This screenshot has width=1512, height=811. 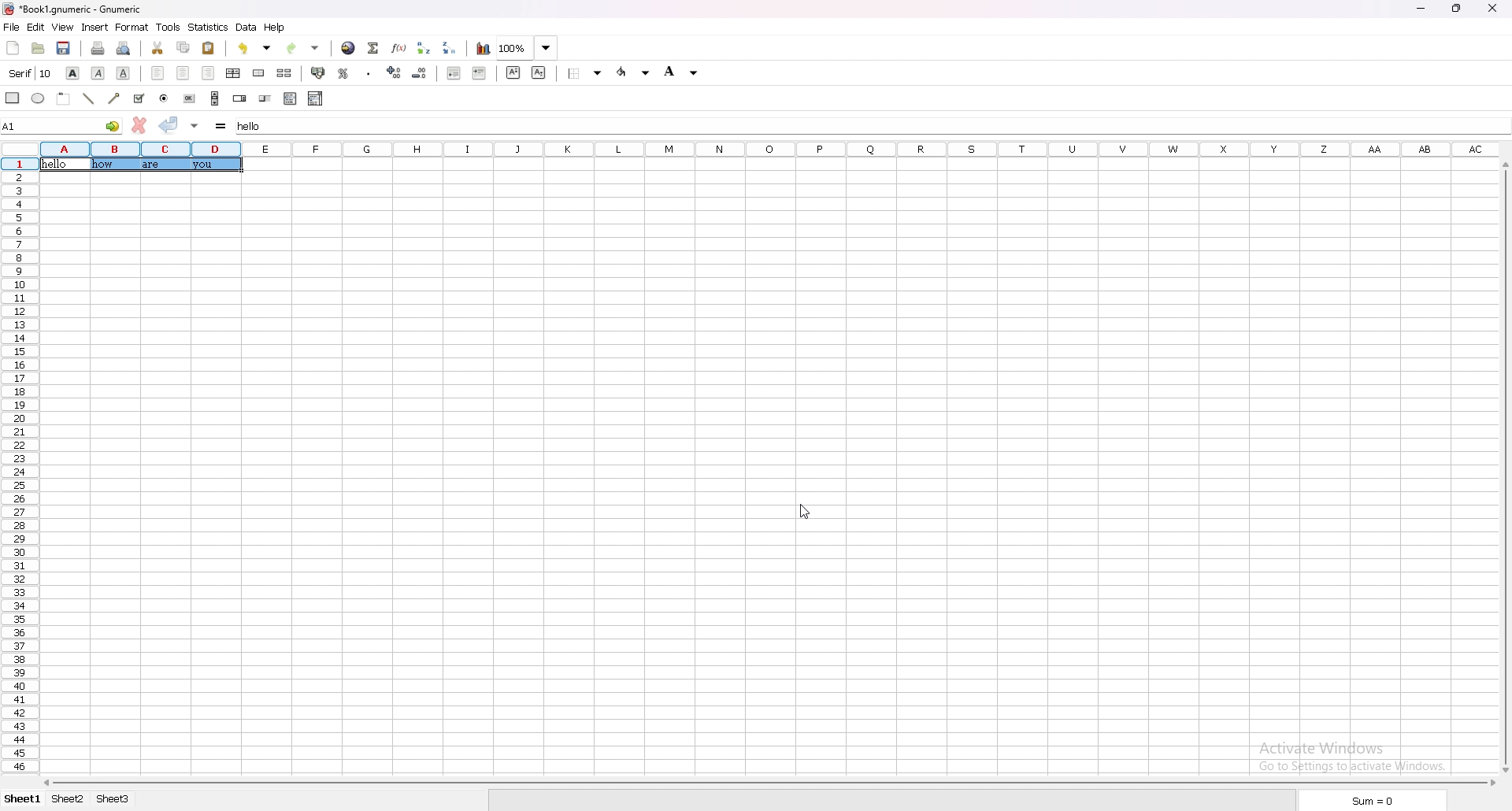 What do you see at coordinates (346, 72) in the screenshot?
I see `percentage` at bounding box center [346, 72].